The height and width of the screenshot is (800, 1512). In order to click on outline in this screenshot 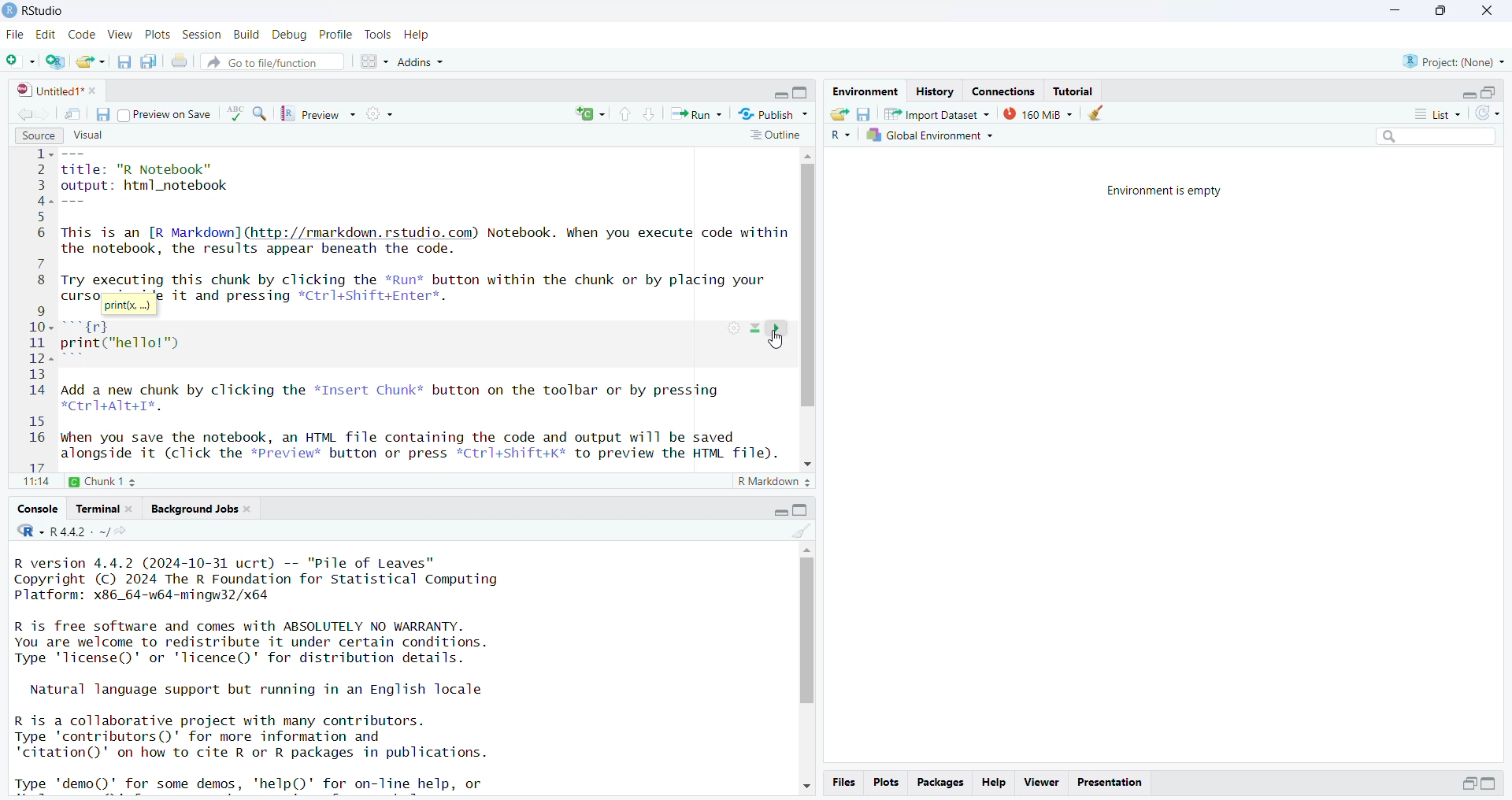, I will do `click(774, 136)`.